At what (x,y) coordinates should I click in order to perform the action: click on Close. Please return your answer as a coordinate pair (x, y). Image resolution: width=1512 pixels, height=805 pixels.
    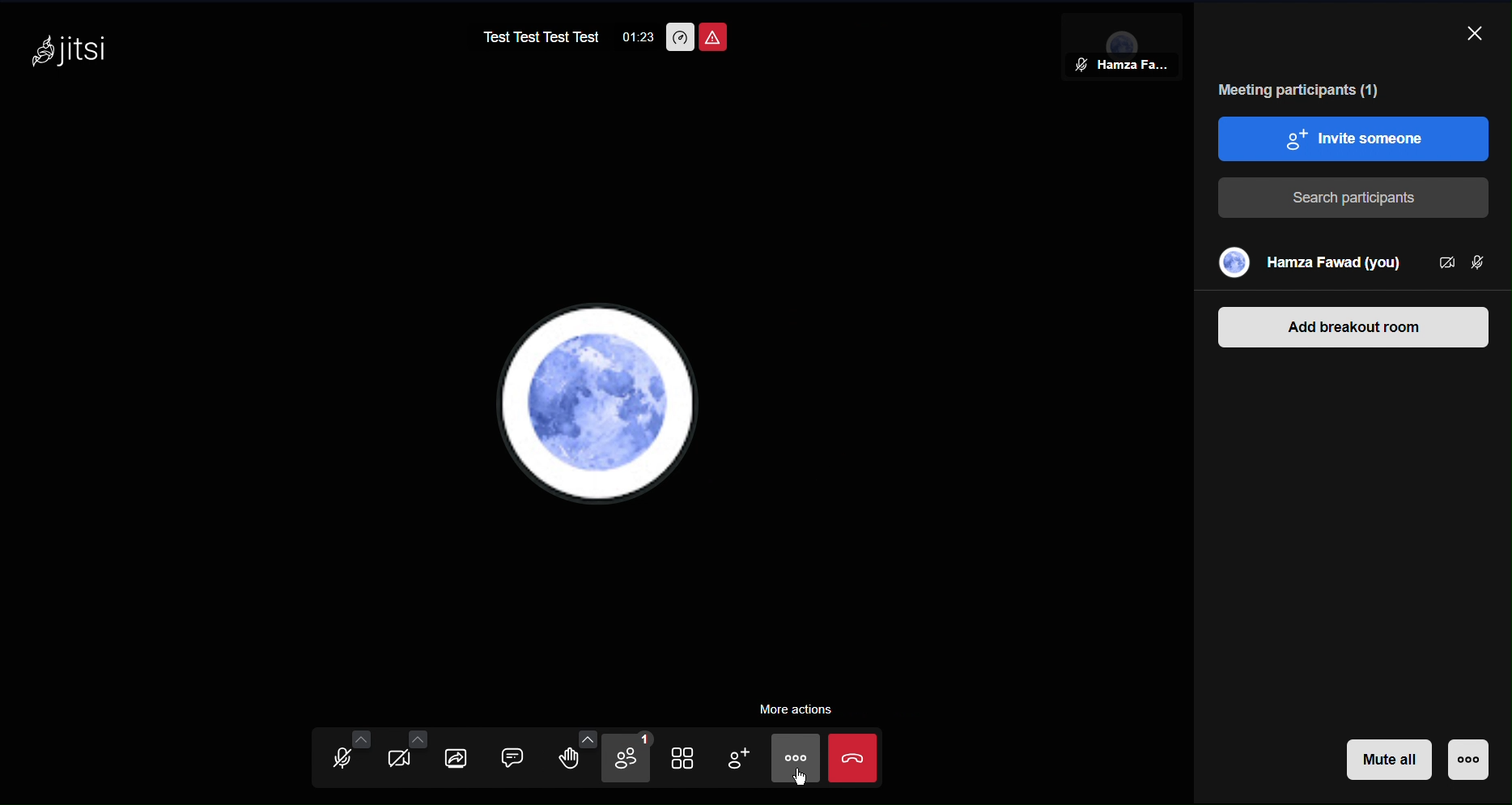
    Looking at the image, I should click on (1477, 33).